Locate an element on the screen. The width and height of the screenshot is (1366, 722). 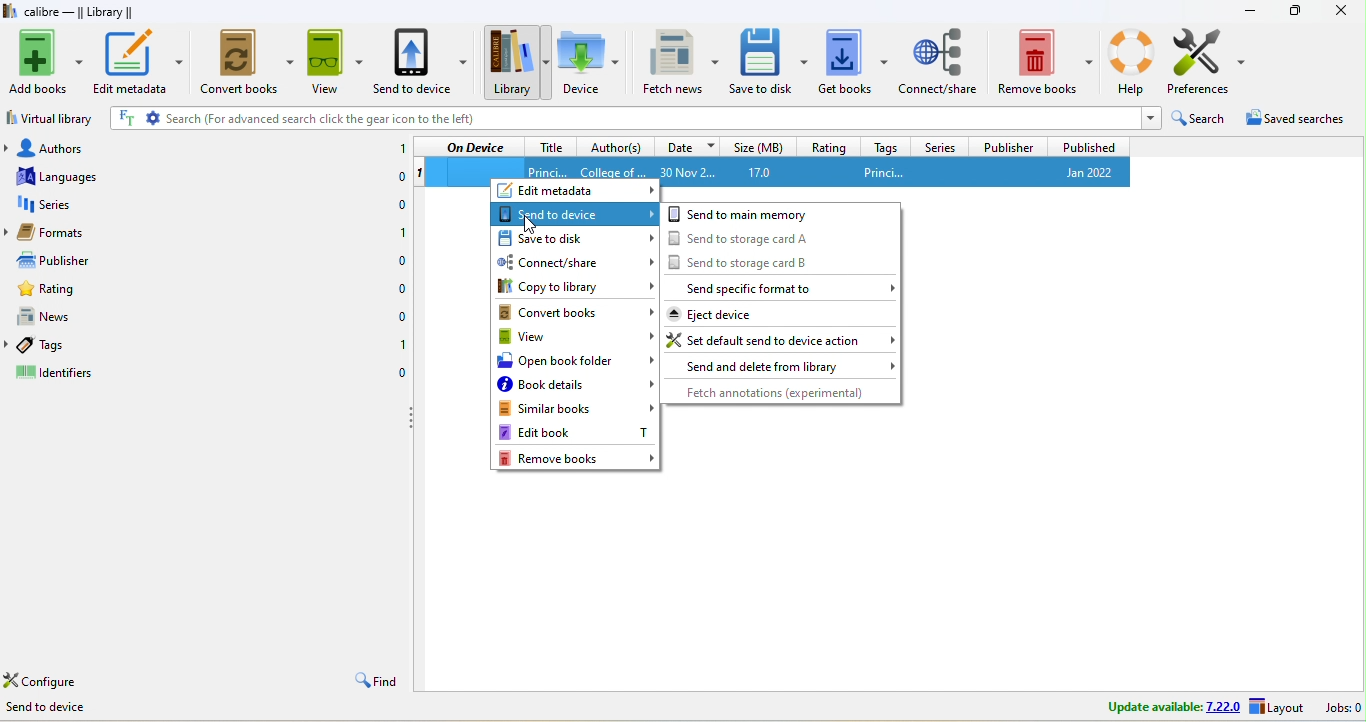
virtual library is located at coordinates (53, 117).